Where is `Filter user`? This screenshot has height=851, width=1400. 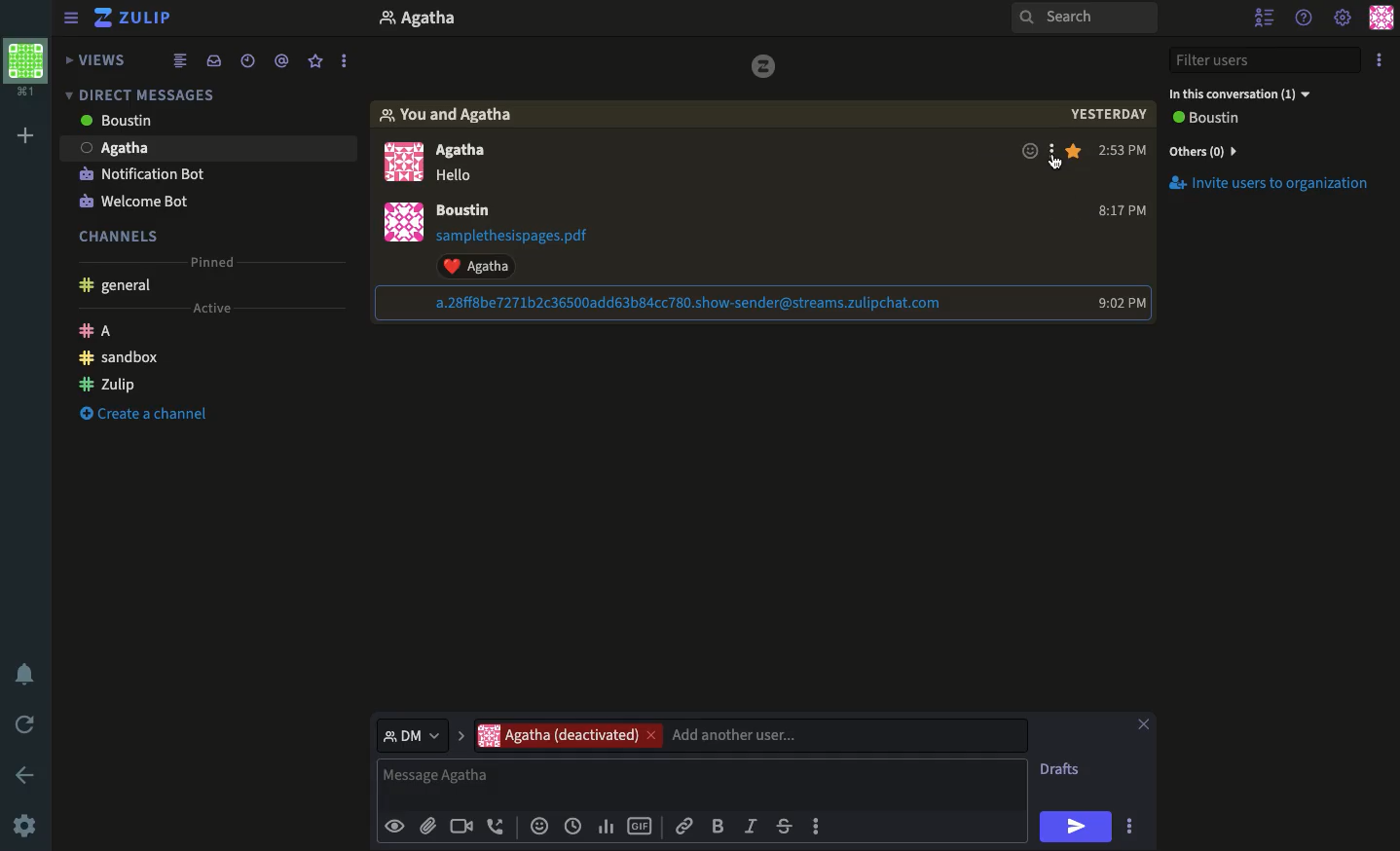
Filter user is located at coordinates (1269, 60).